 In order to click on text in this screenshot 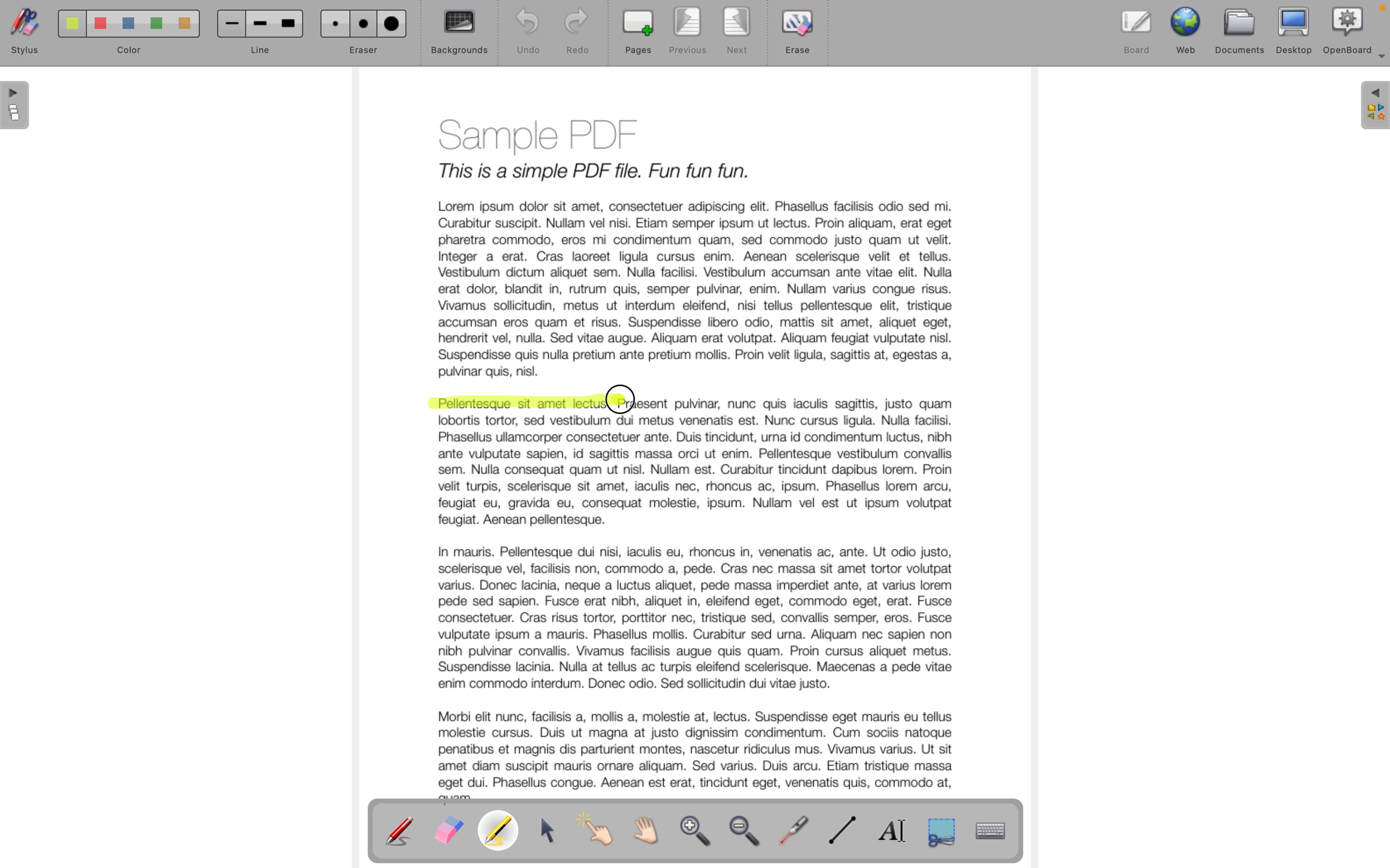, I will do `click(702, 243)`.